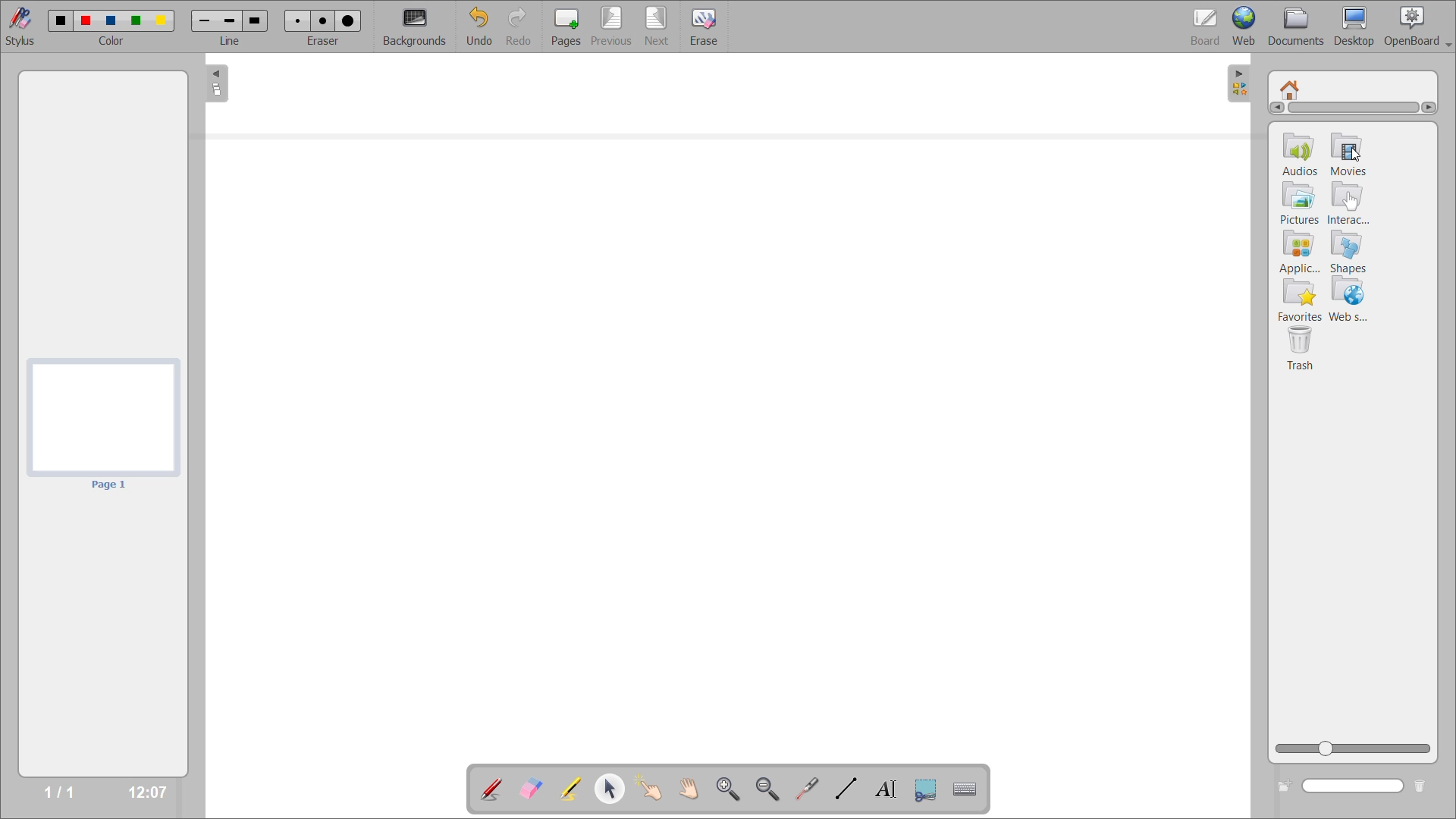  Describe the element at coordinates (231, 20) in the screenshot. I see `Large line` at that location.